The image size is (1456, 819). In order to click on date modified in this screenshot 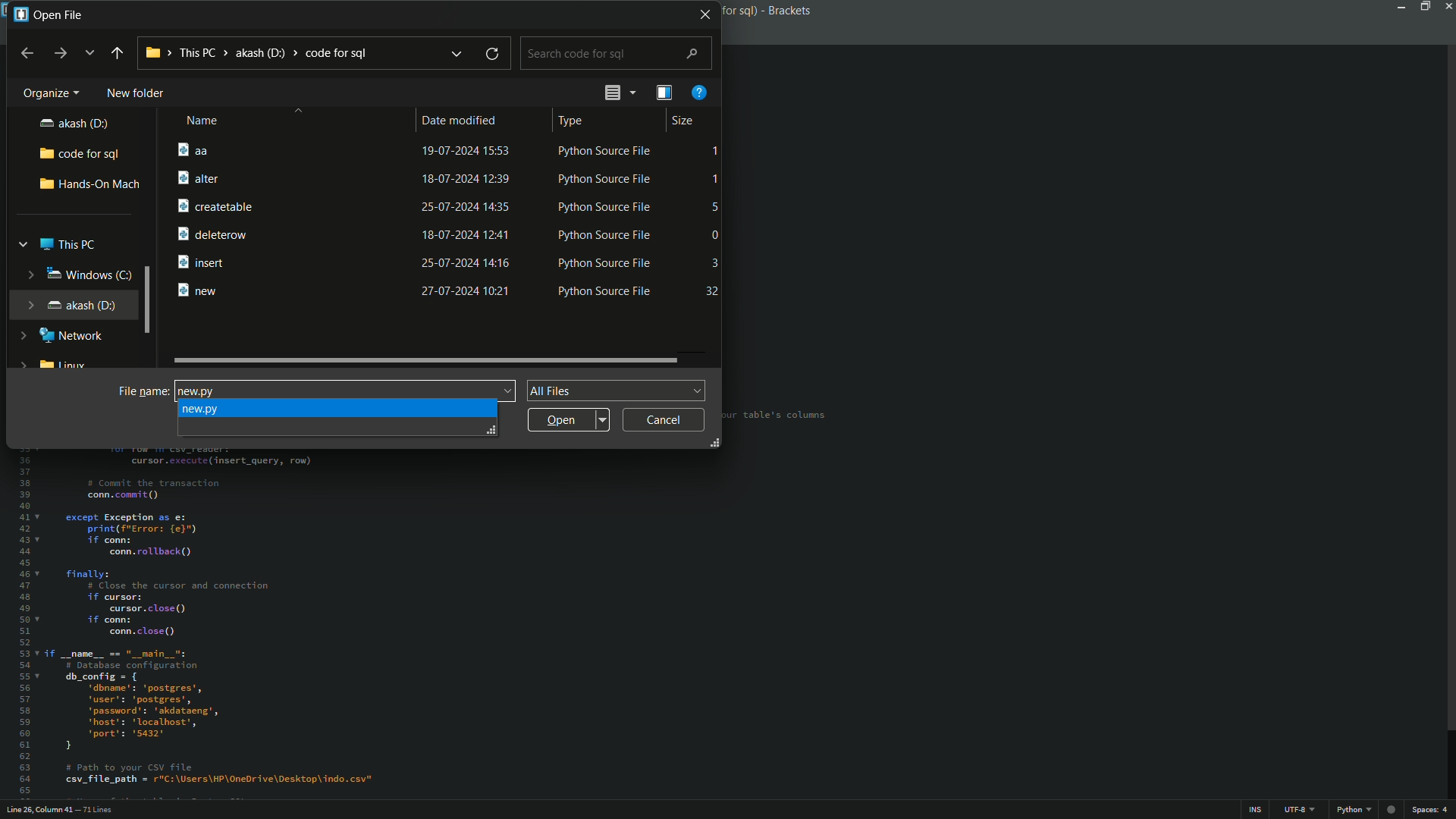, I will do `click(460, 121)`.